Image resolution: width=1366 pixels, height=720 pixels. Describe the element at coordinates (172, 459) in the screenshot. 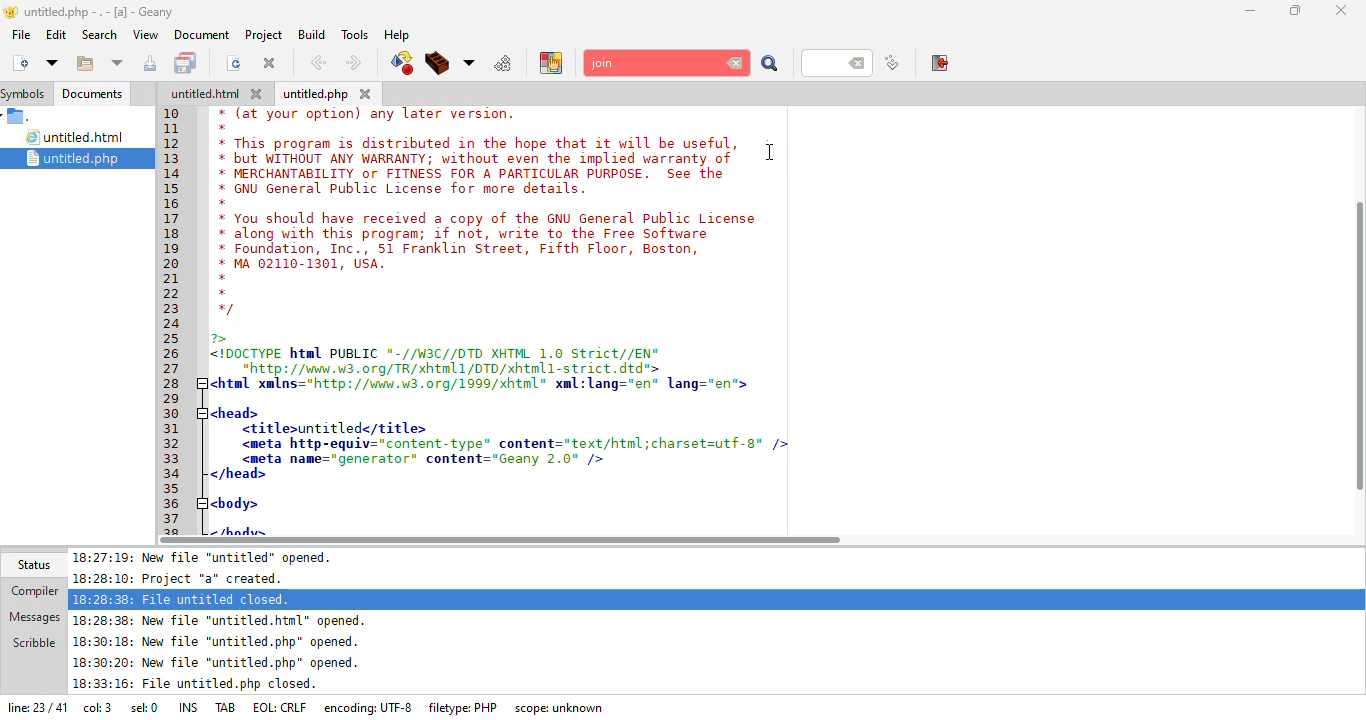

I see `33` at that location.